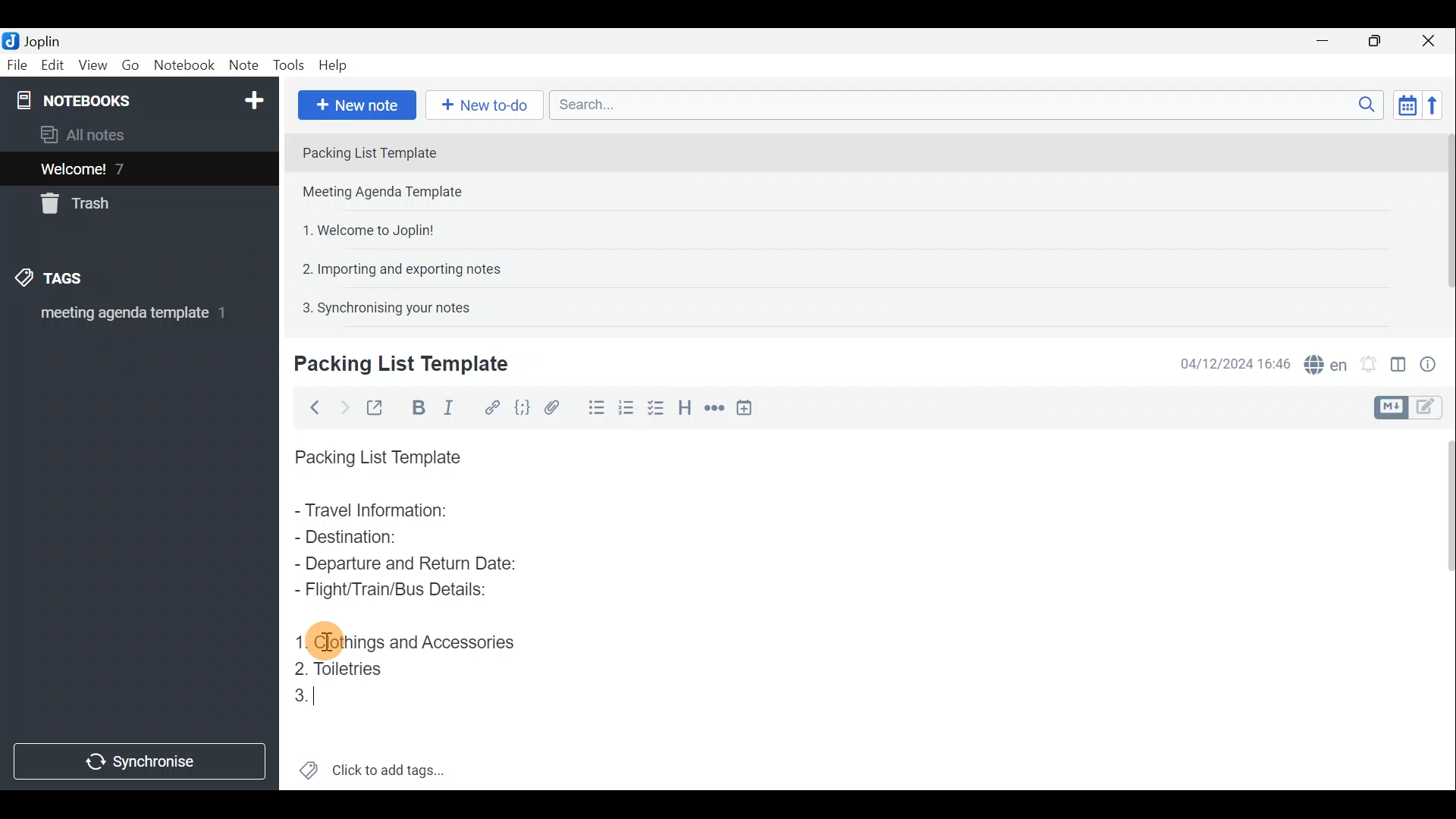 Image resolution: width=1456 pixels, height=819 pixels. I want to click on Toggle editors, so click(1393, 406).